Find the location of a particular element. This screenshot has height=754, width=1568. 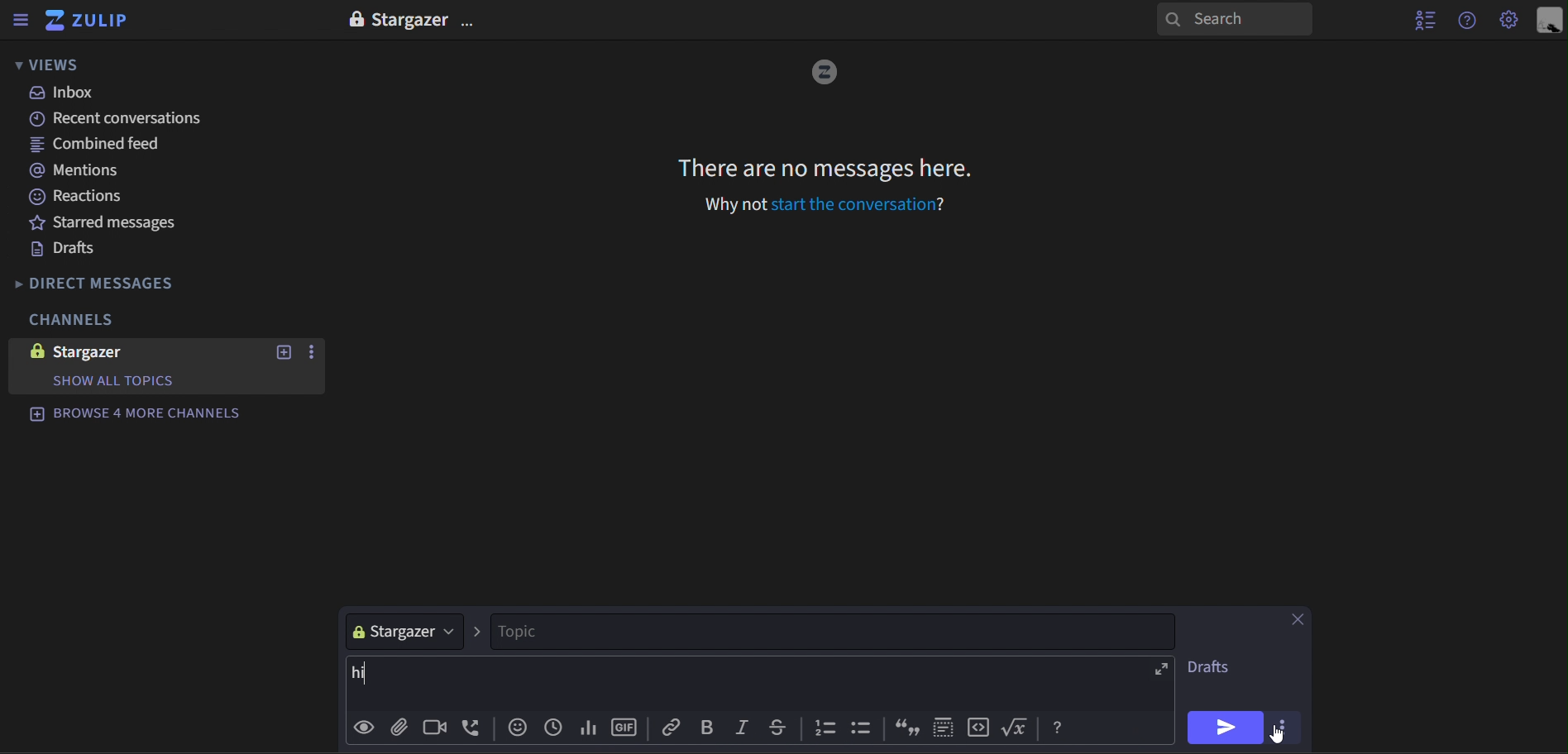

stargazer is located at coordinates (406, 631).